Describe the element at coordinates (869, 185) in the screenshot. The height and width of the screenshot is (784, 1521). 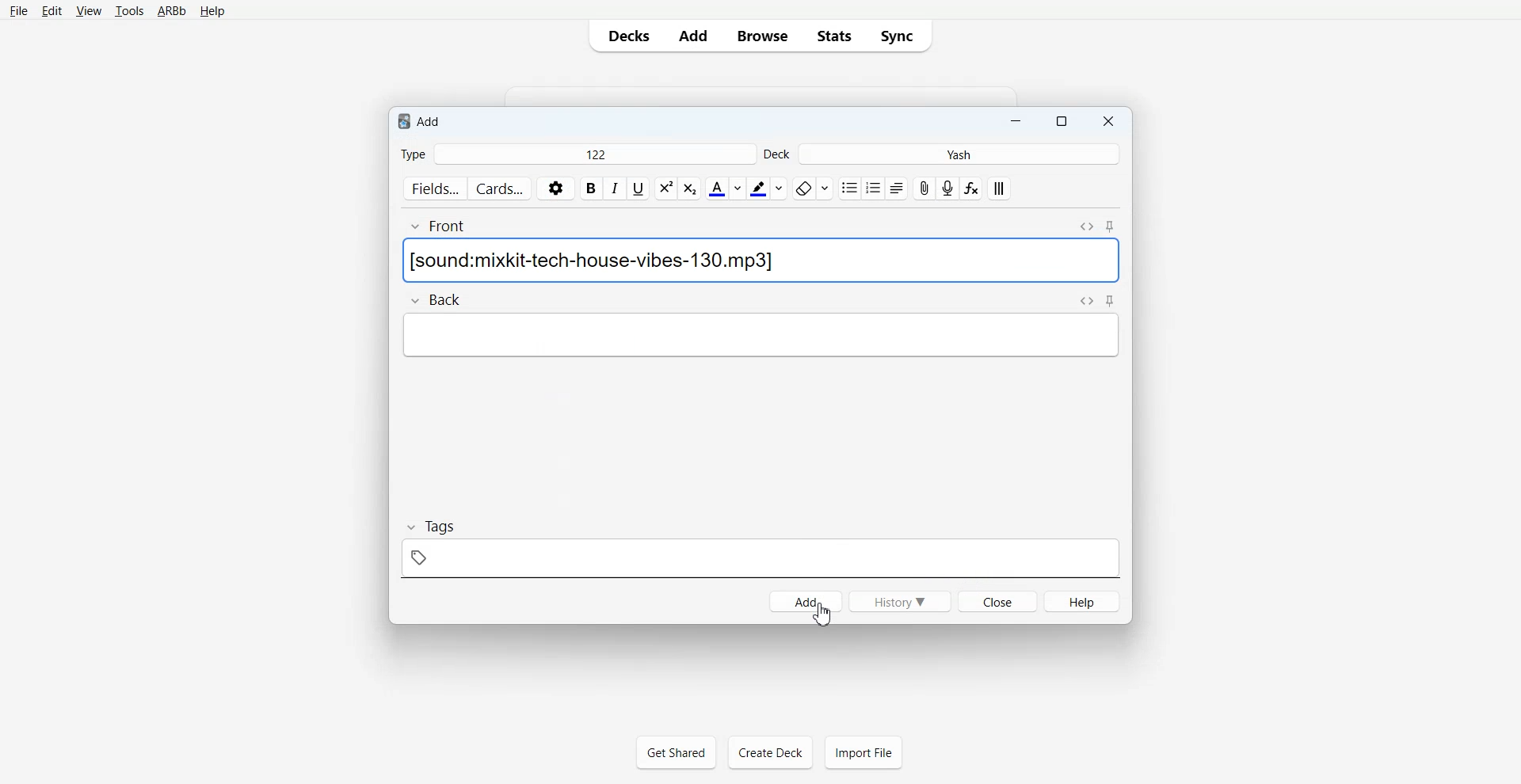
I see `bullet points` at that location.